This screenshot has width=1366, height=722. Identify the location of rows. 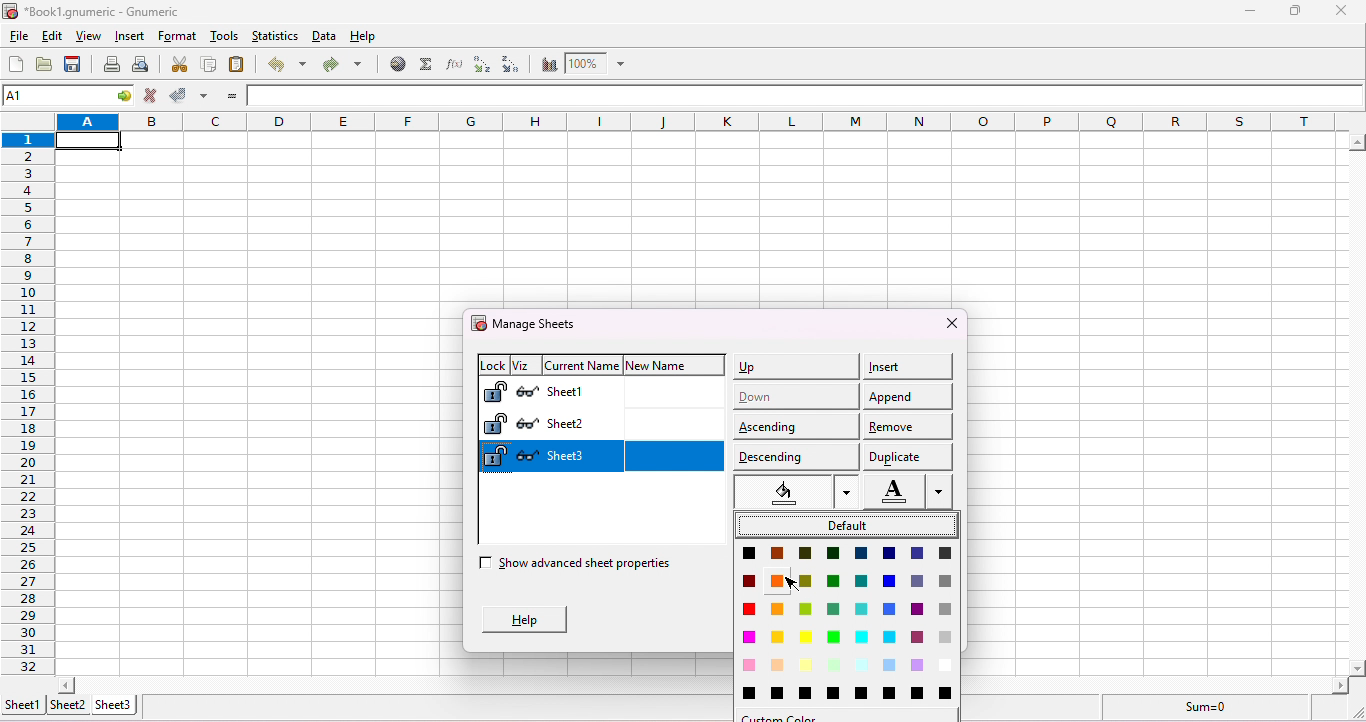
(29, 392).